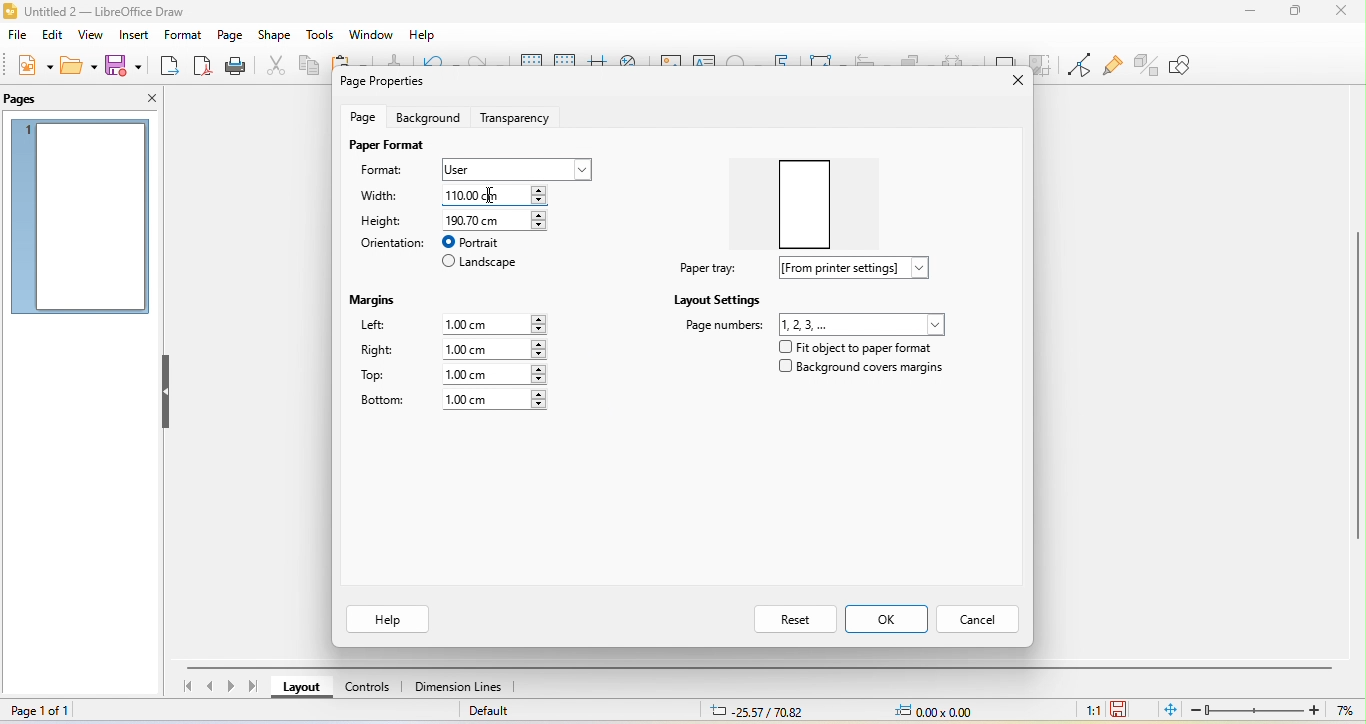 The image size is (1366, 724). What do you see at coordinates (122, 10) in the screenshot?
I see `title` at bounding box center [122, 10].